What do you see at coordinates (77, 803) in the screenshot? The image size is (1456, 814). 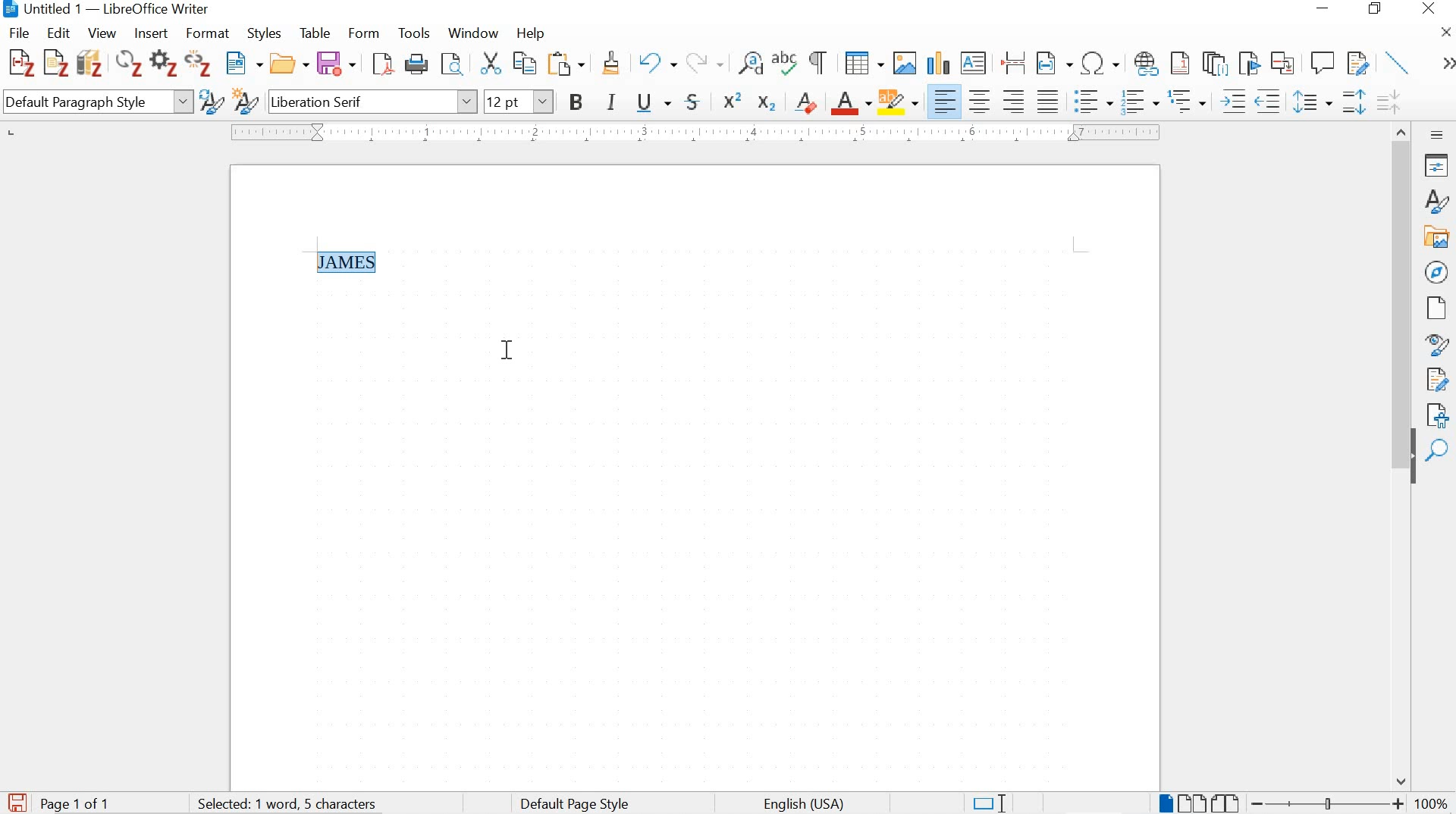 I see `page 1 of 1` at bounding box center [77, 803].